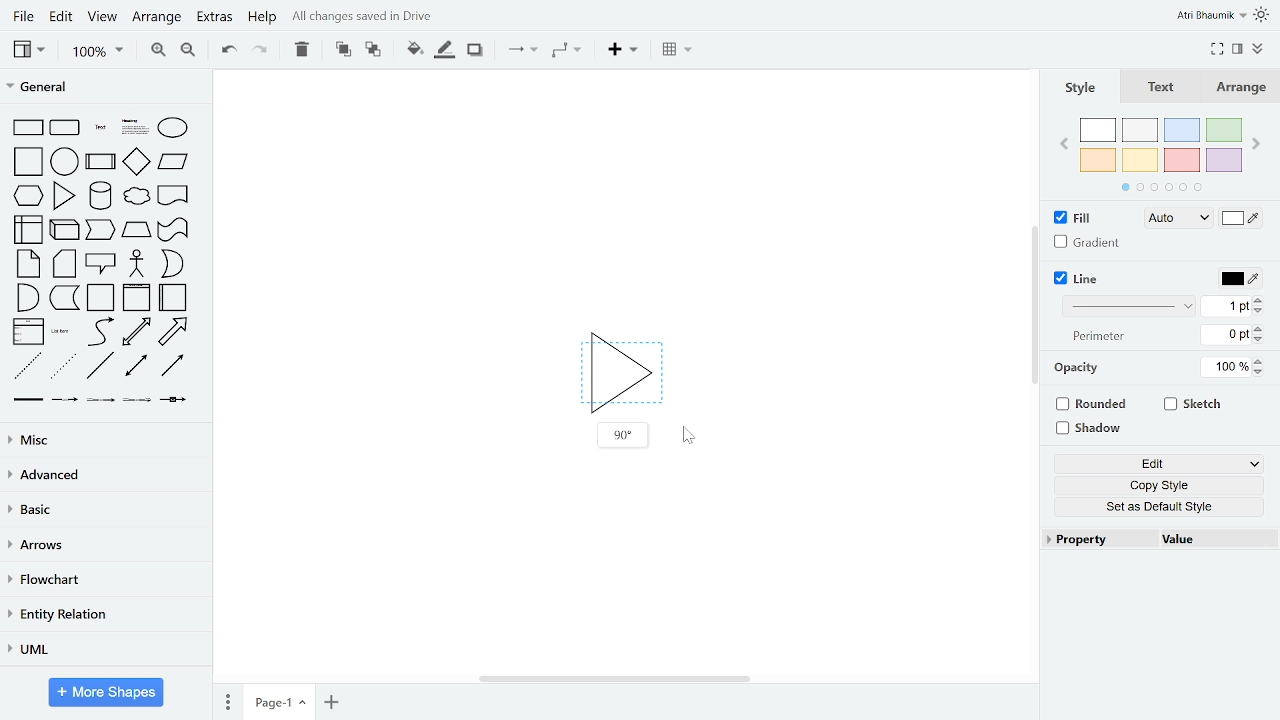 The height and width of the screenshot is (720, 1280). Describe the element at coordinates (1209, 539) in the screenshot. I see `value` at that location.